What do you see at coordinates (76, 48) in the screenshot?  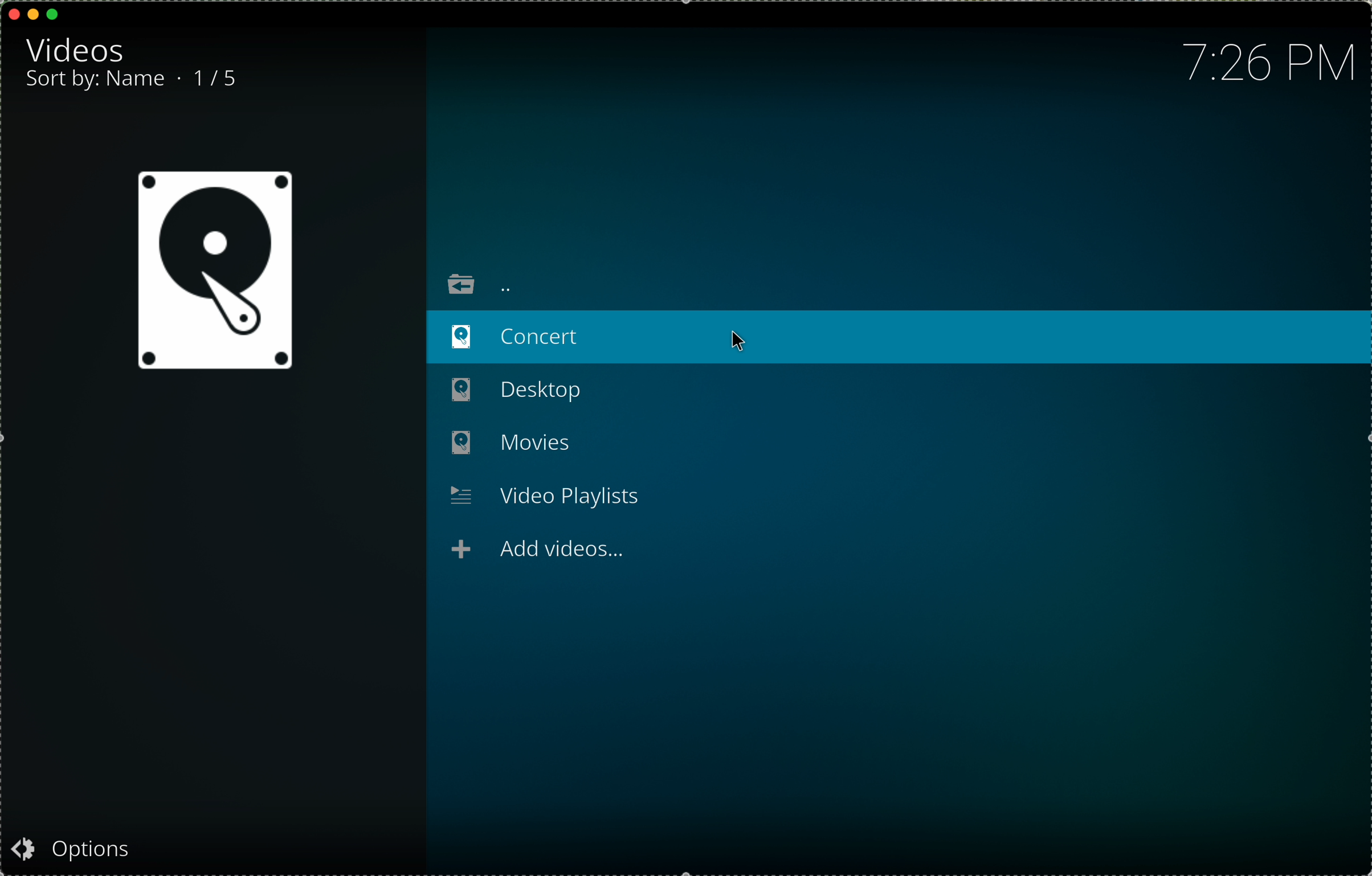 I see `videos` at bounding box center [76, 48].